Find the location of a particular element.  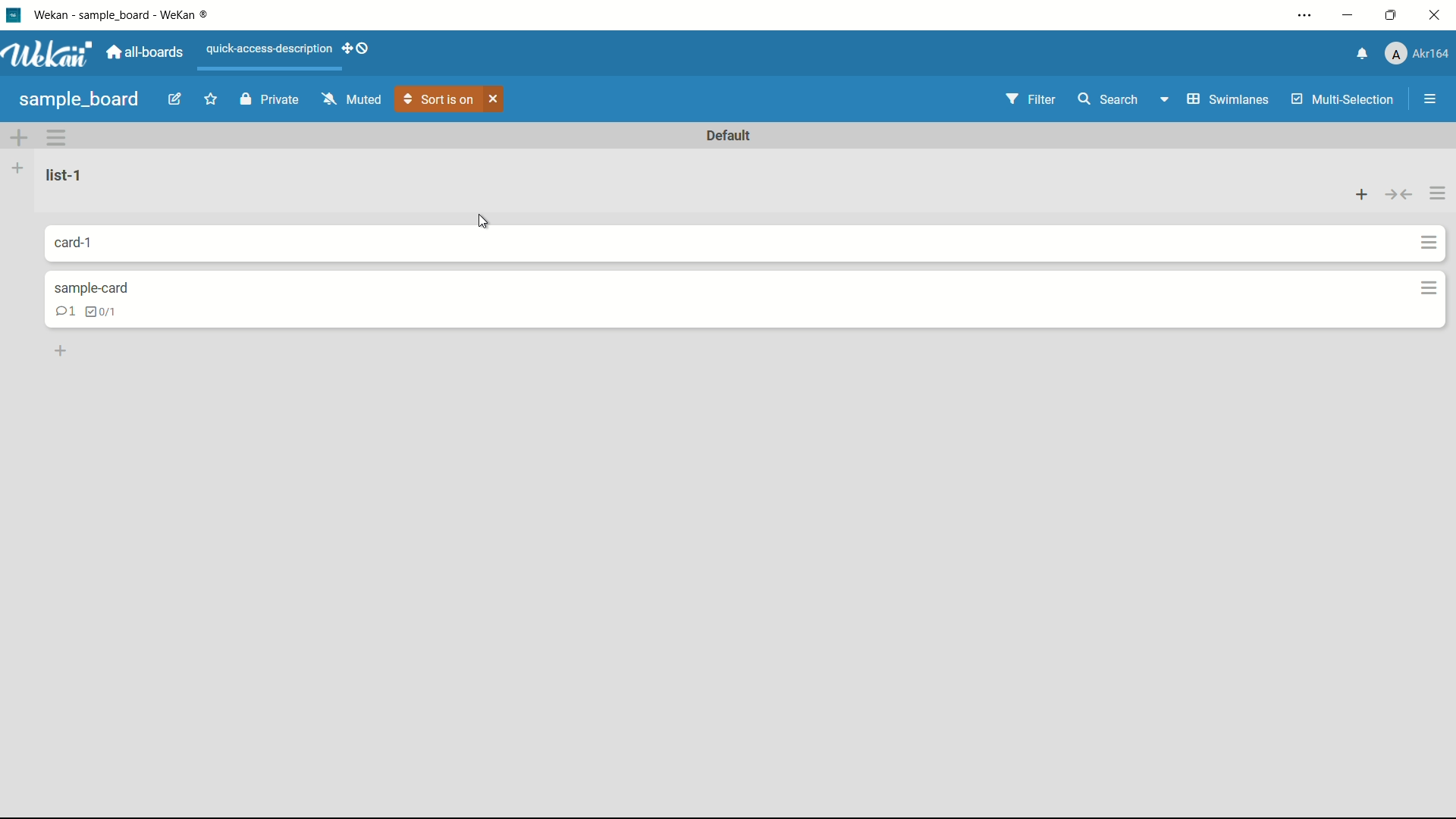

card actions is located at coordinates (1430, 289).